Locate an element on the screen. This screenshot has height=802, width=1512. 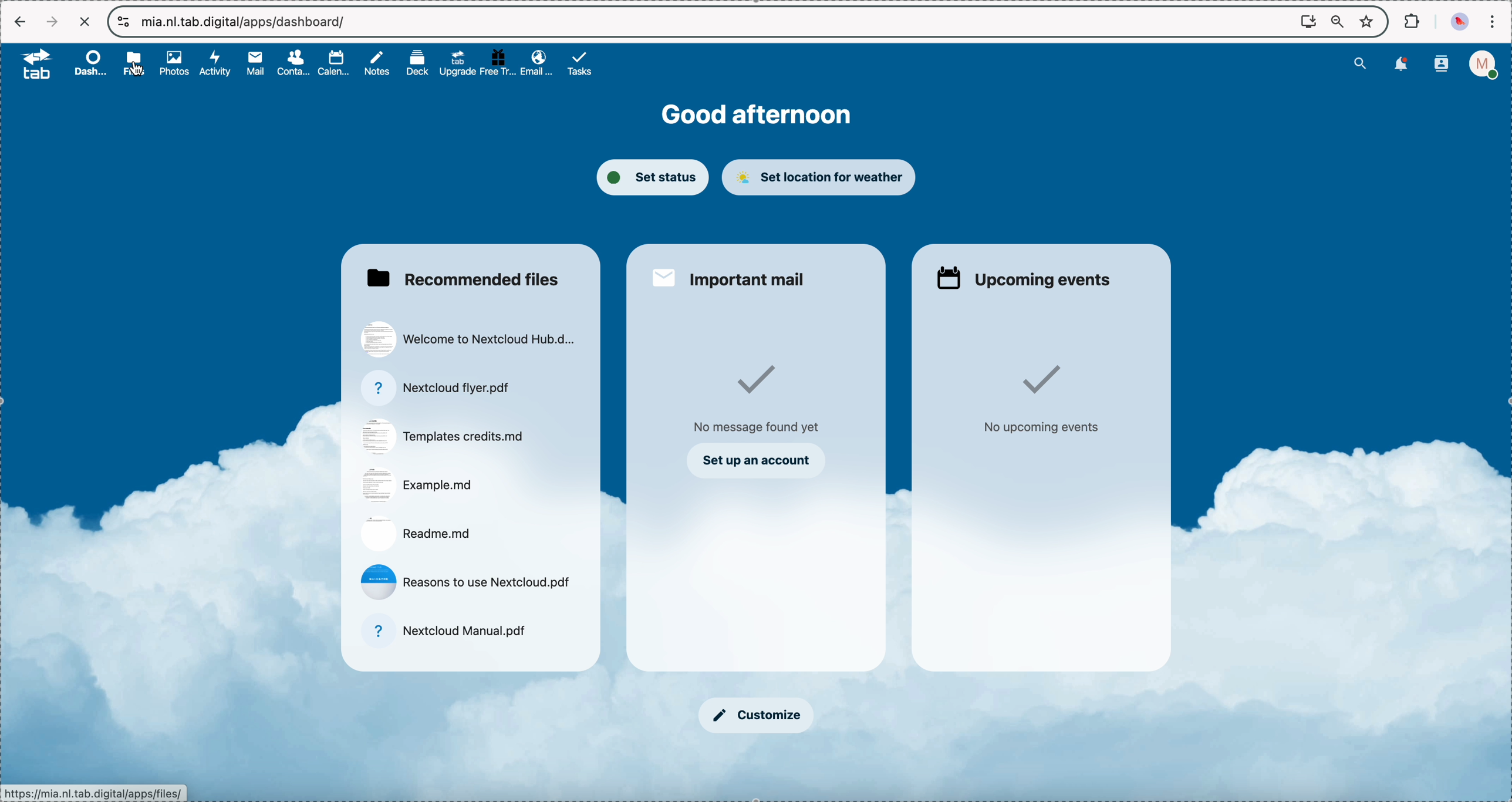
profile is located at coordinates (1487, 65).